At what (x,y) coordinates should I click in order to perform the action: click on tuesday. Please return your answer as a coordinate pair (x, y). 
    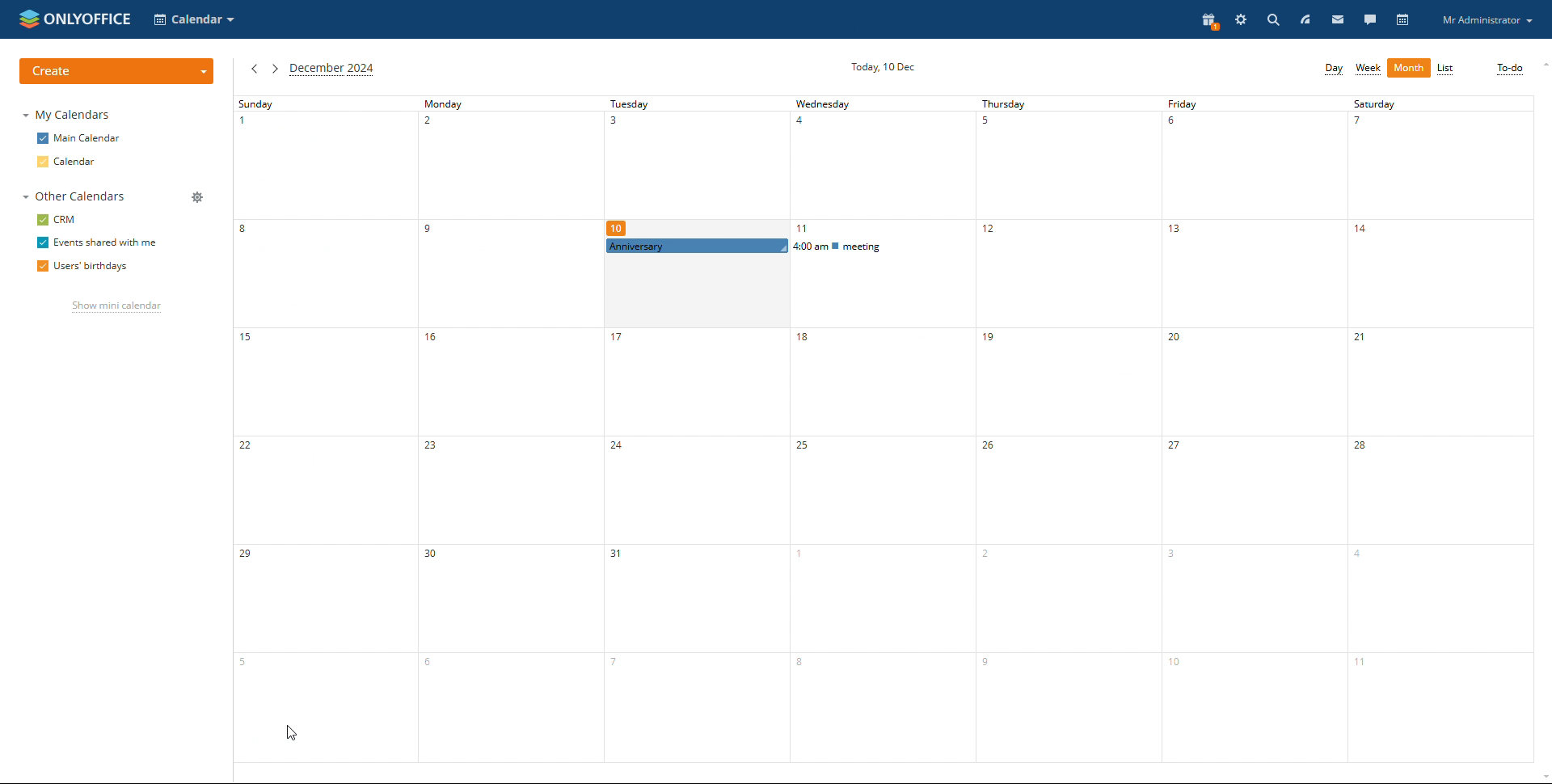
    Looking at the image, I should click on (694, 515).